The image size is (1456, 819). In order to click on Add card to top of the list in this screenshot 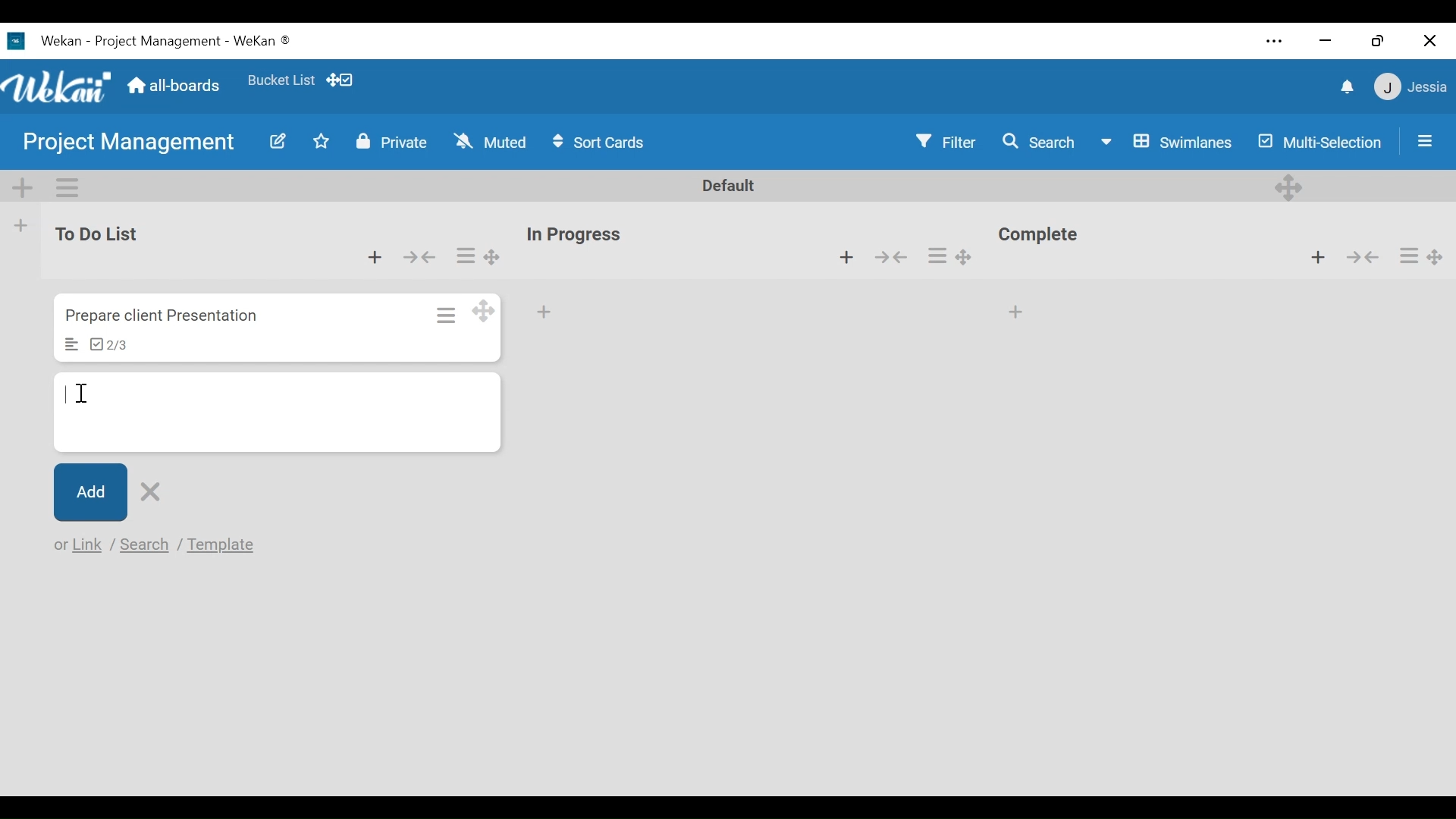, I will do `click(845, 258)`.